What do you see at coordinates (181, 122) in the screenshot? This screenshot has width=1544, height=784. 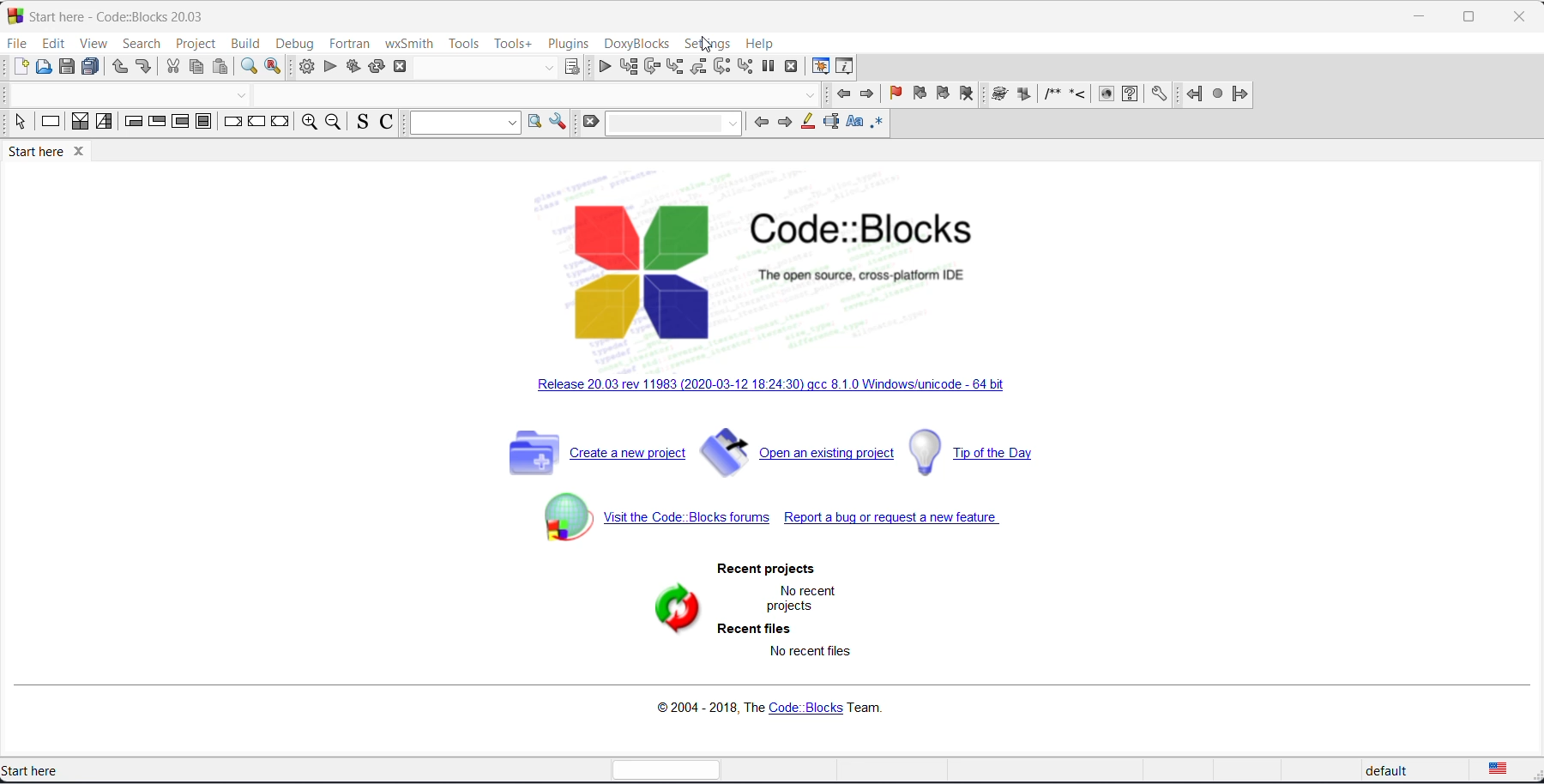 I see `counting loop` at bounding box center [181, 122].